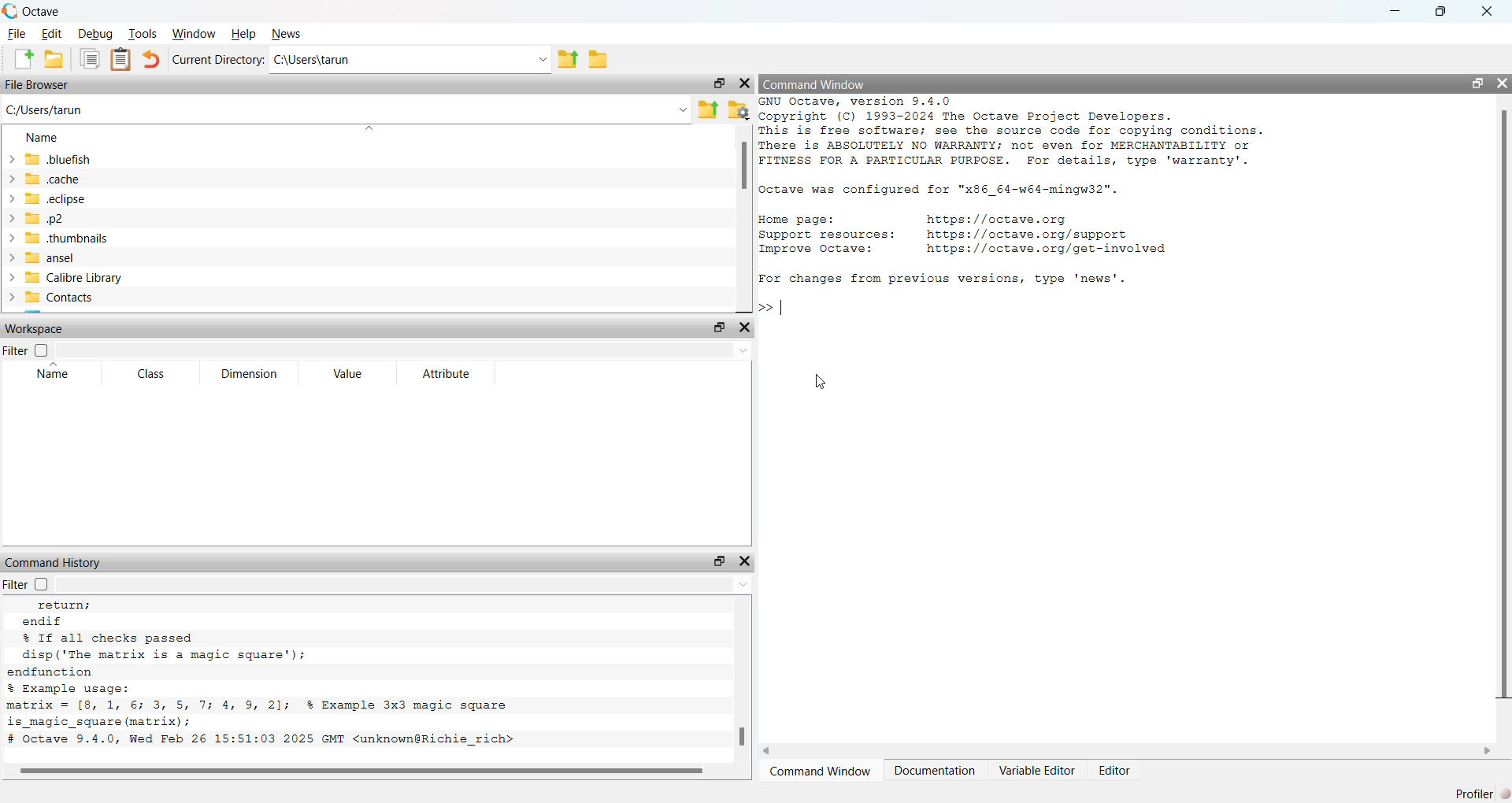 This screenshot has height=803, width=1512. I want to click on close, so click(743, 83).